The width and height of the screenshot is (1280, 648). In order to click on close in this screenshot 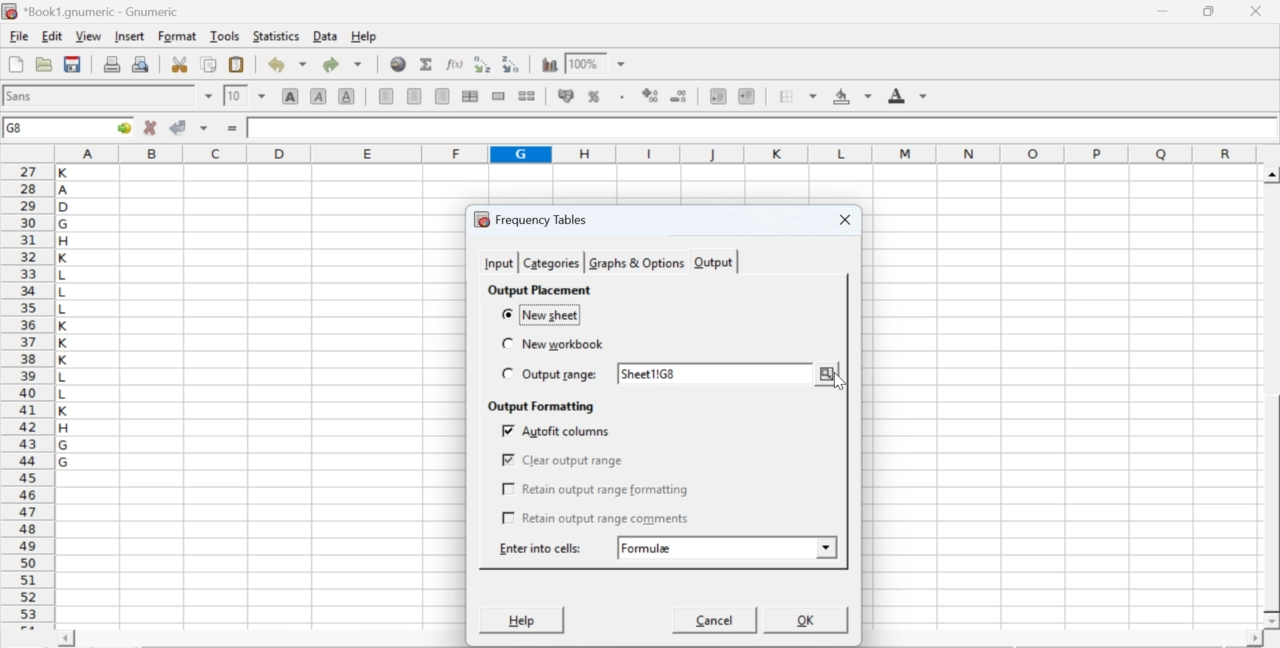, I will do `click(842, 221)`.